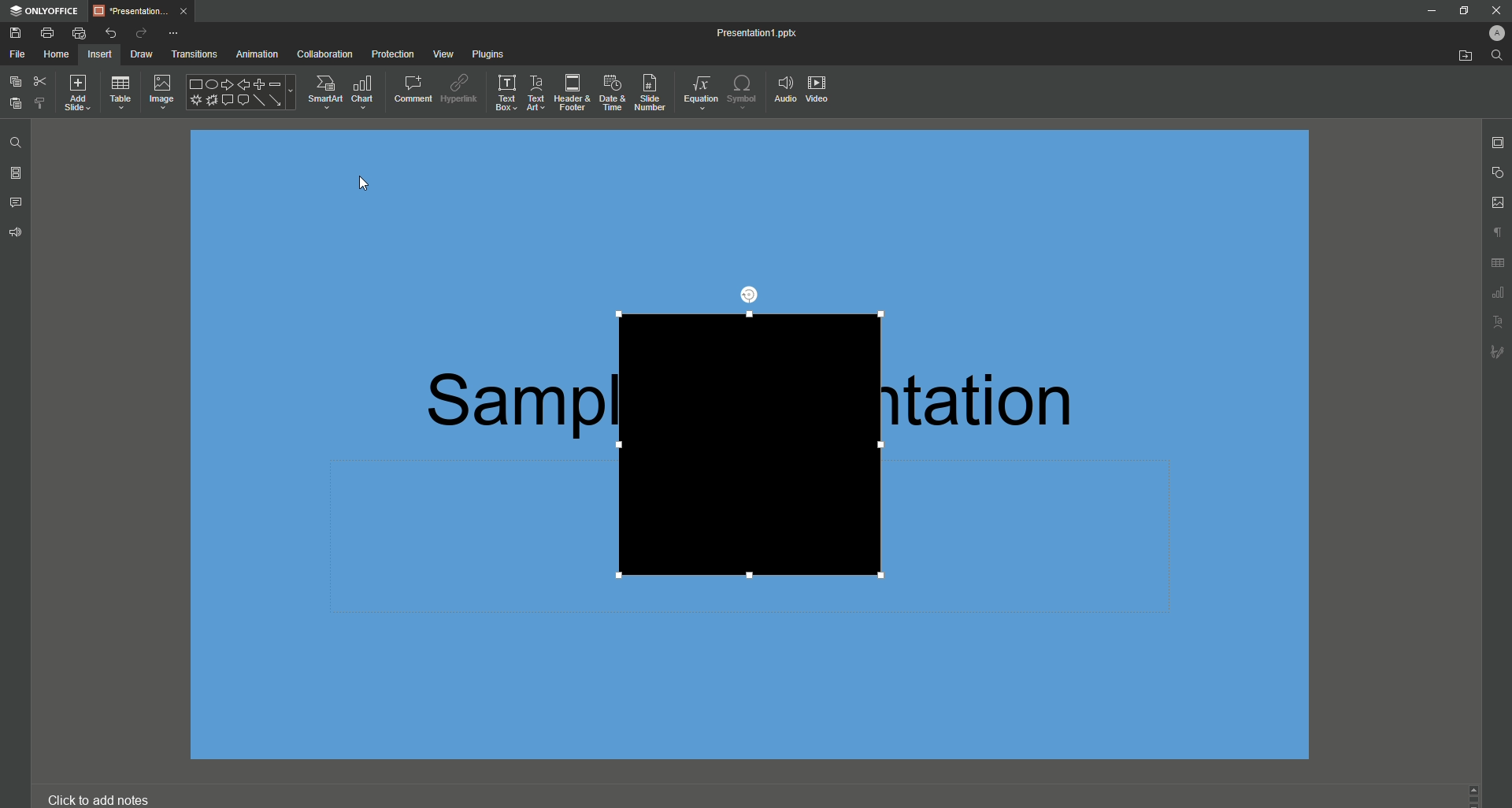 The image size is (1512, 808). Describe the element at coordinates (363, 91) in the screenshot. I see `Chart` at that location.